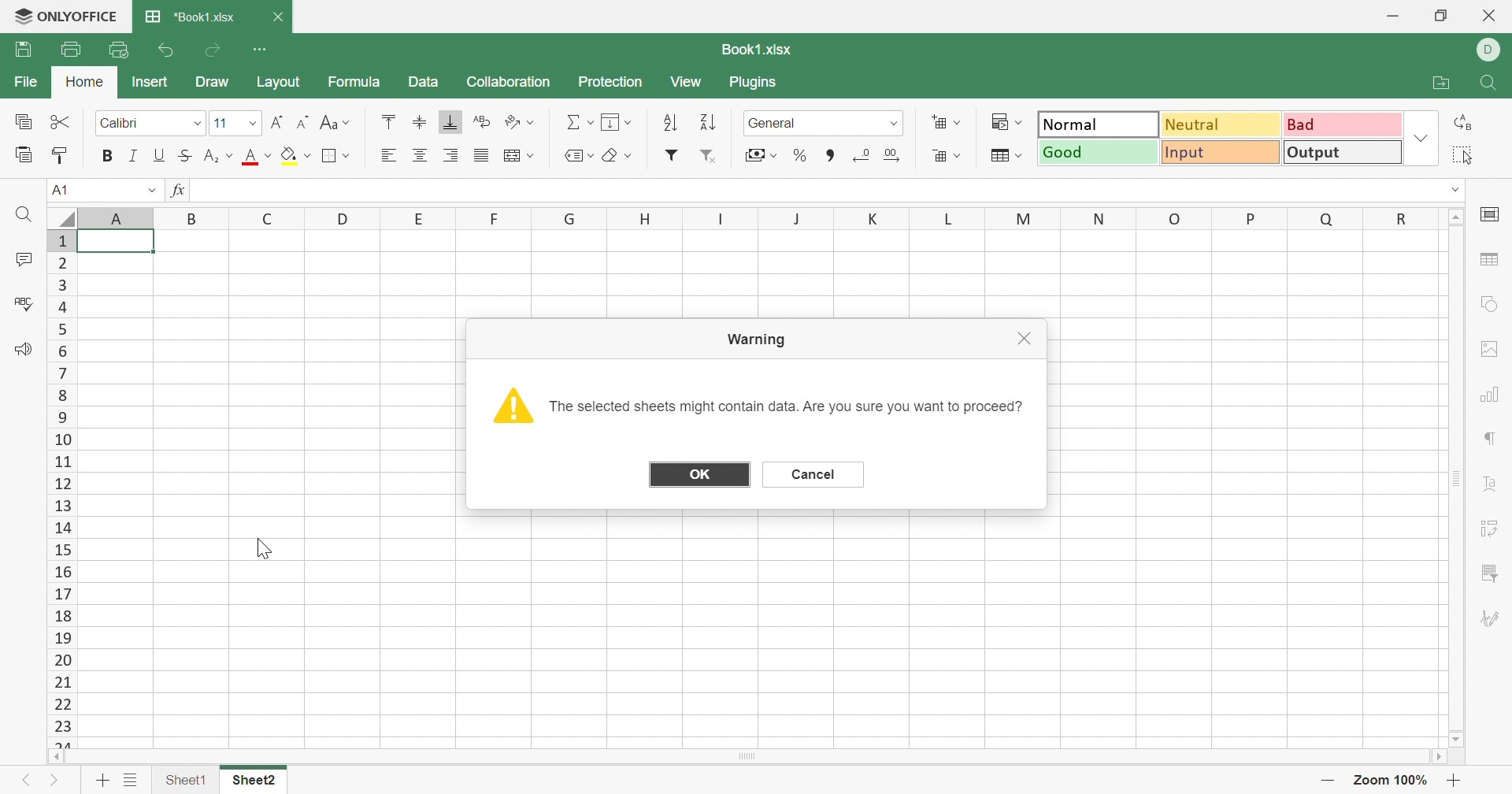 The image size is (1512, 794). Describe the element at coordinates (506, 83) in the screenshot. I see `Collaboration` at that location.